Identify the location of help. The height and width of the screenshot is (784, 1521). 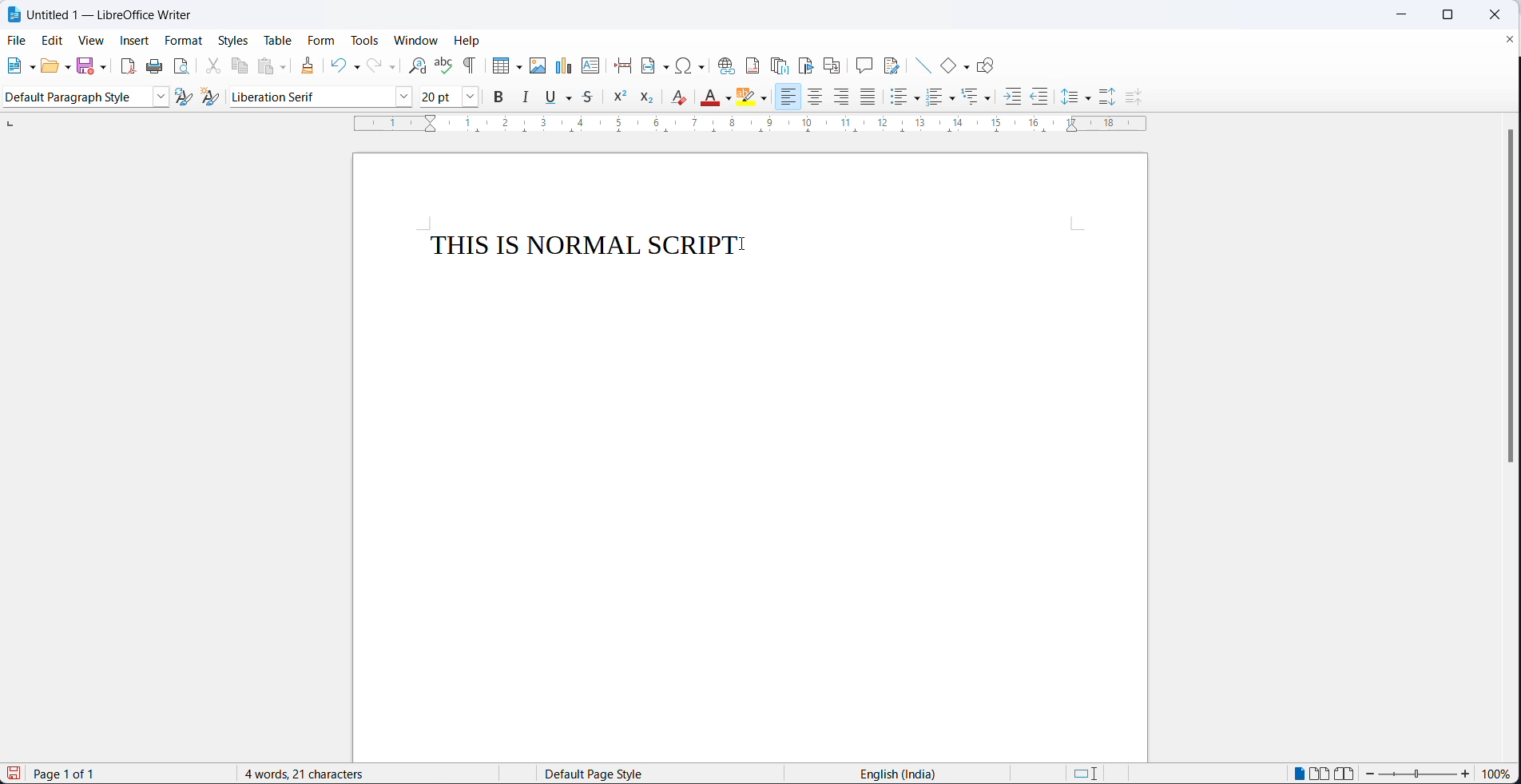
(467, 40).